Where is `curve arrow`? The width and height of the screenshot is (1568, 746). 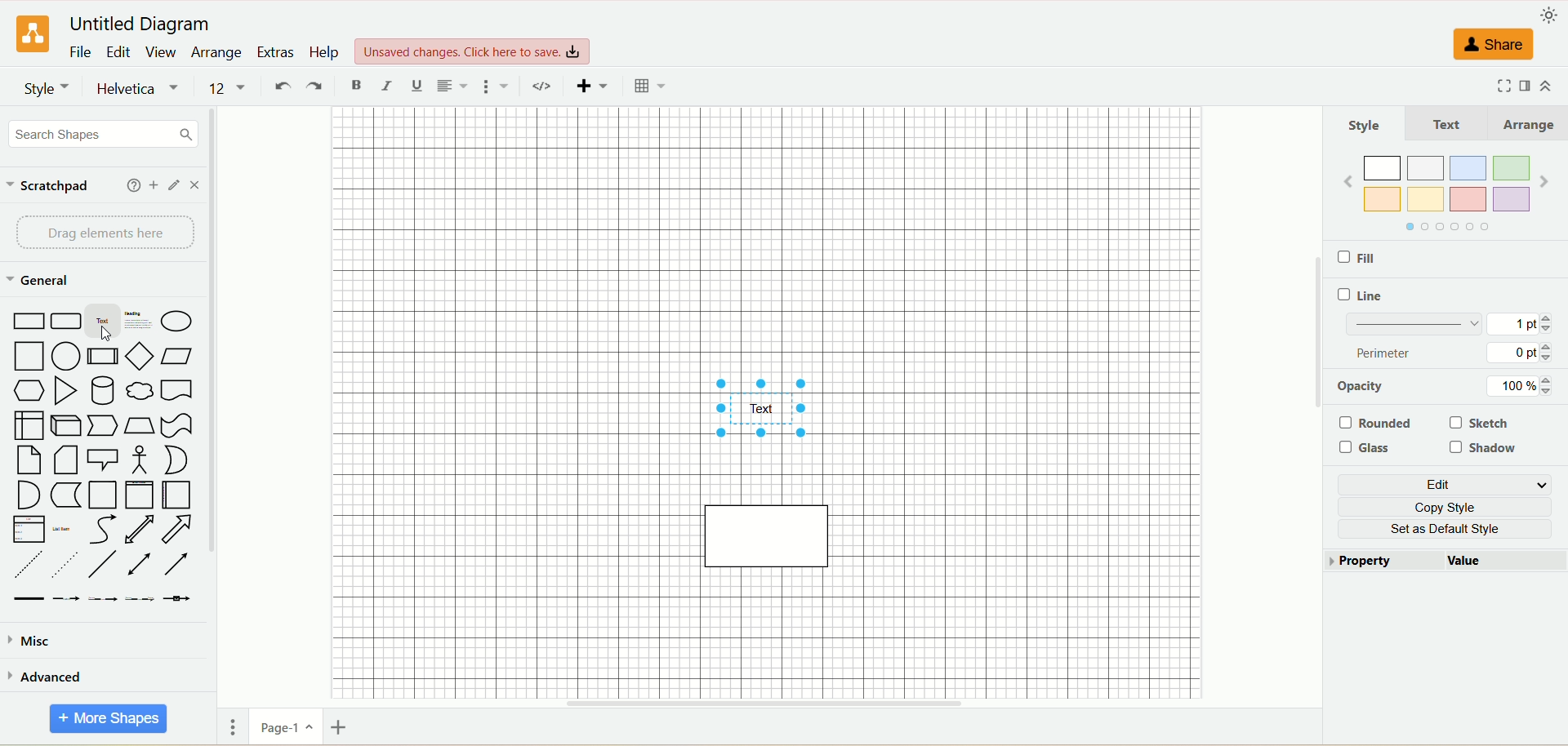 curve arrow is located at coordinates (101, 530).